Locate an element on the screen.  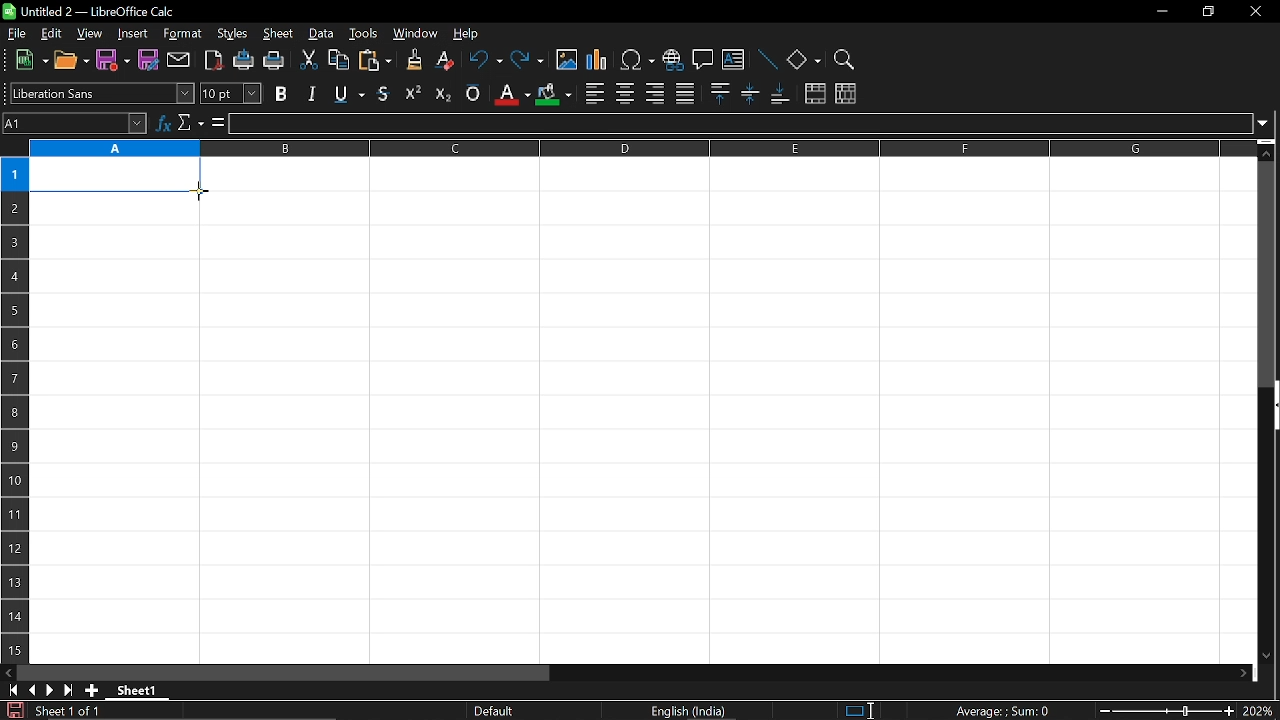
cell color is located at coordinates (553, 95).